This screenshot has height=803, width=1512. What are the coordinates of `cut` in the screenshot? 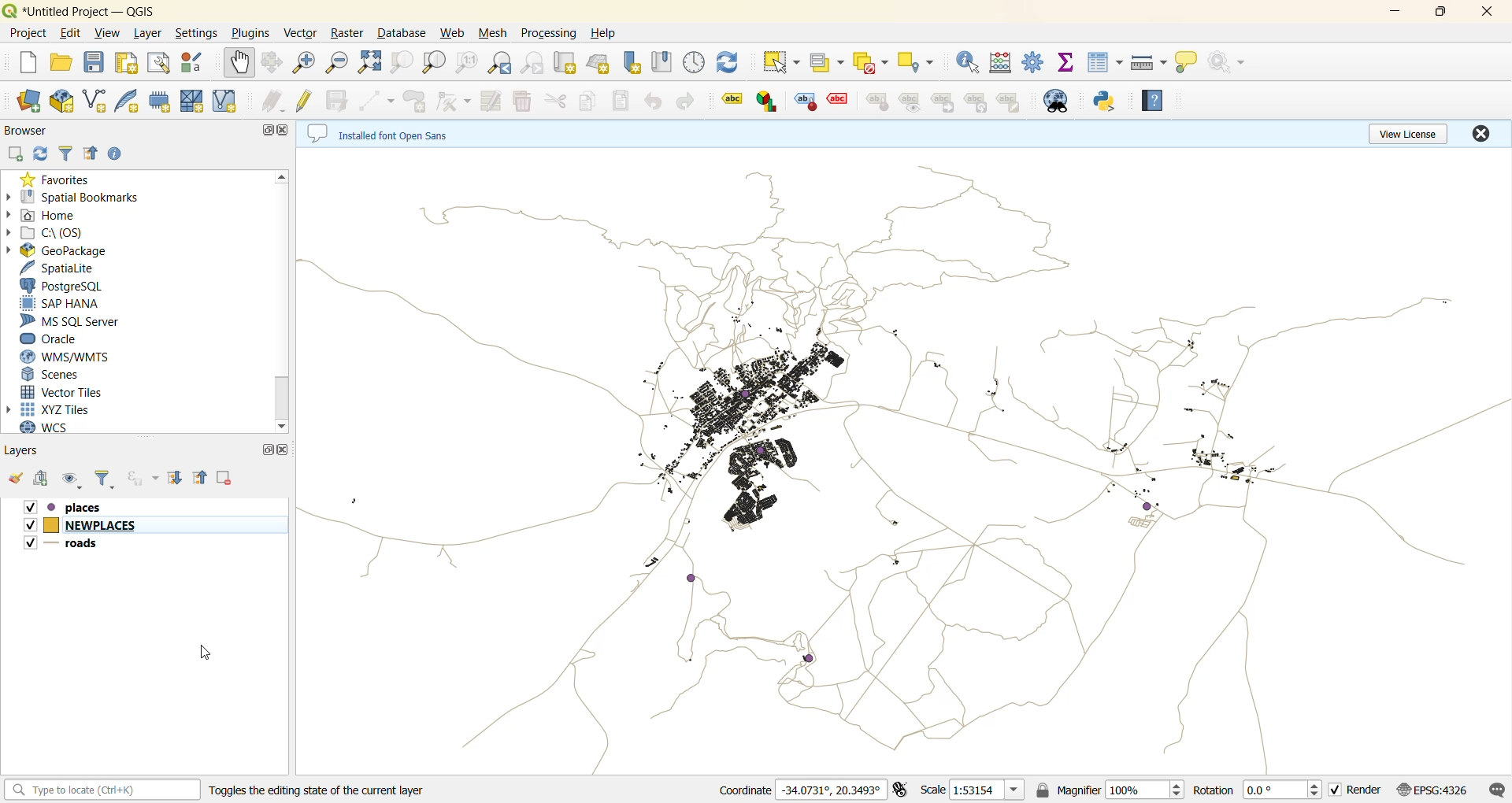 It's located at (554, 100).